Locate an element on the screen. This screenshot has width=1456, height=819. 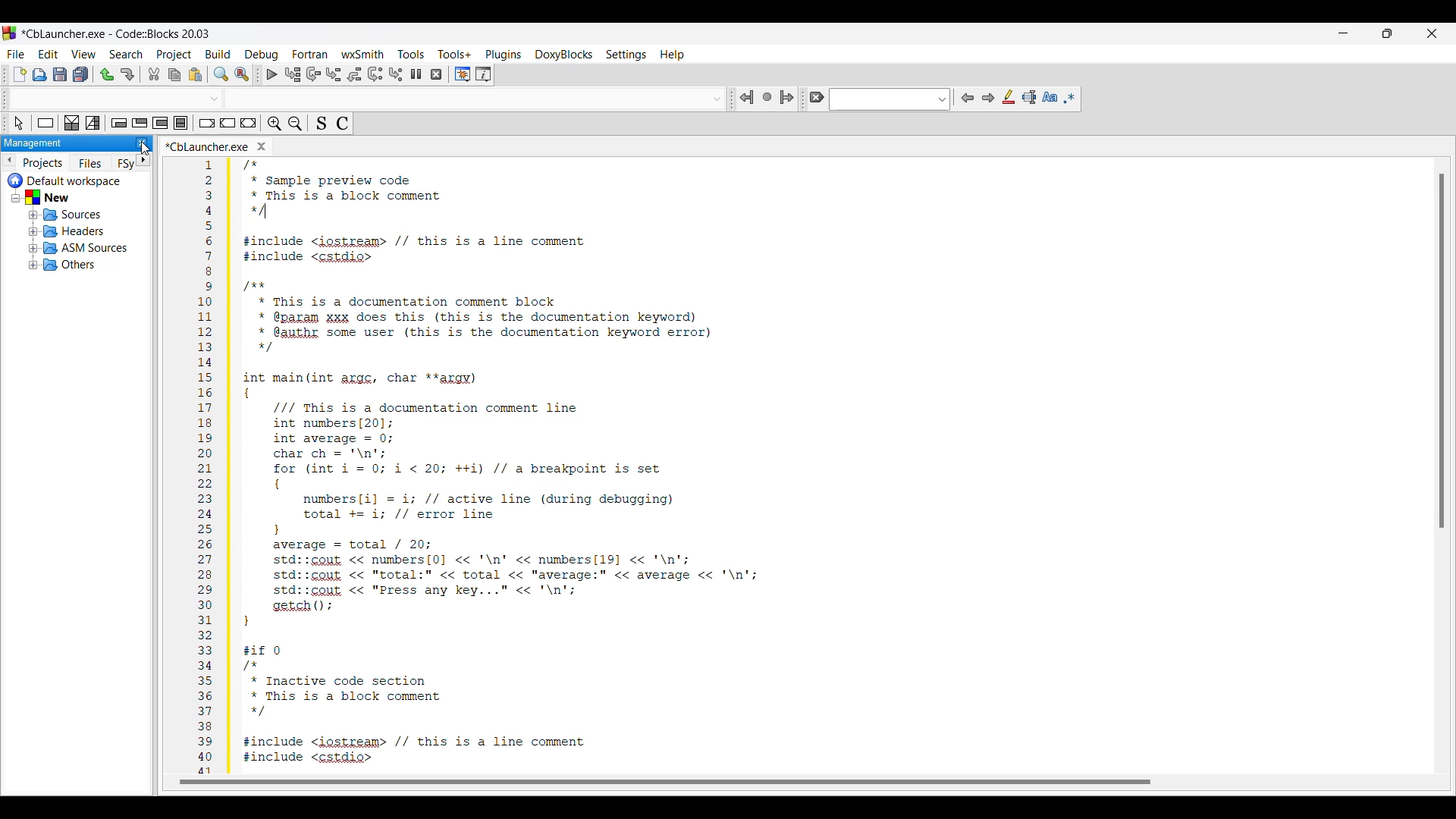
Text box and text options is located at coordinates (890, 99).